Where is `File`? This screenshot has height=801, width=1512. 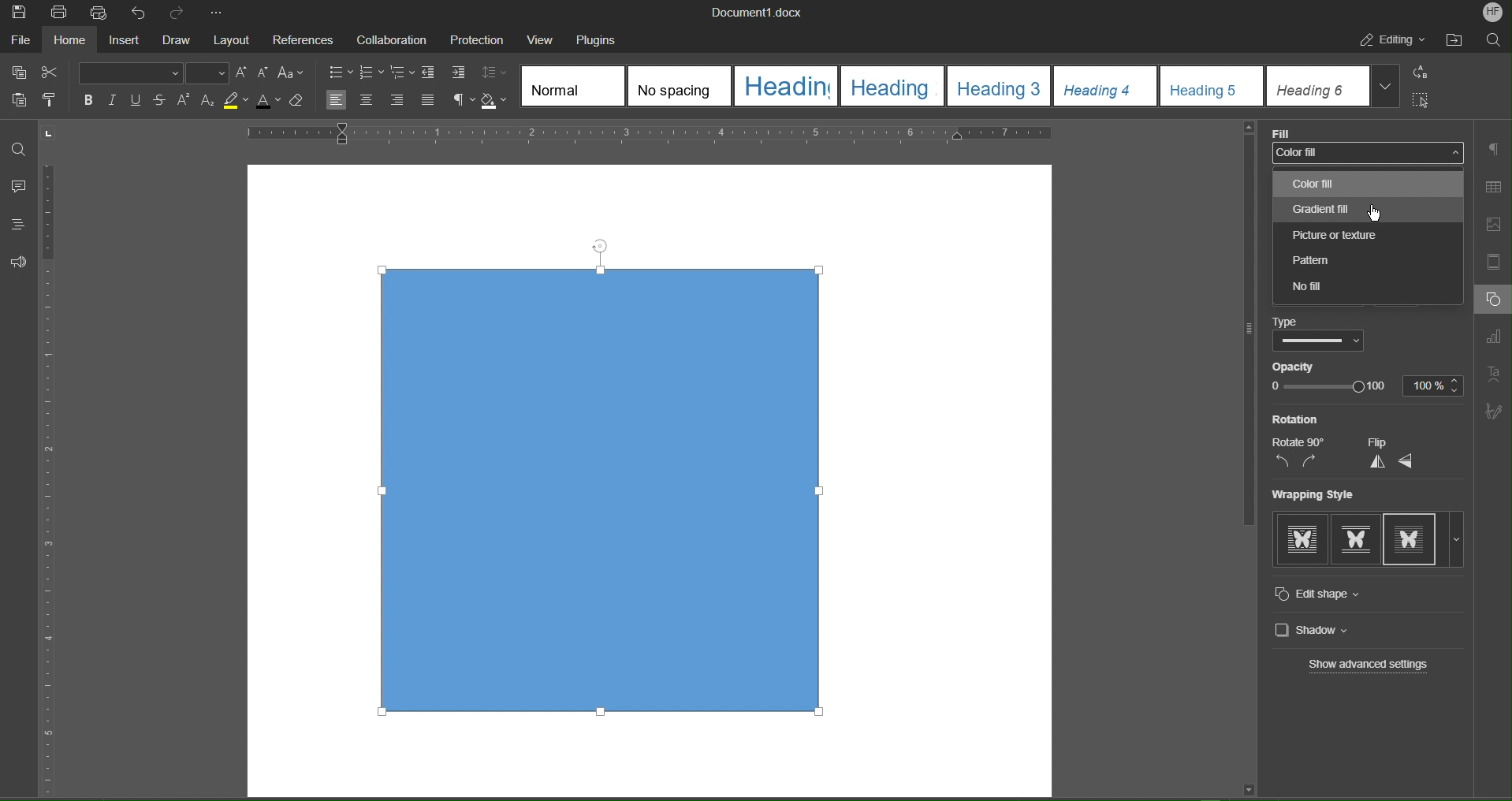
File is located at coordinates (20, 39).